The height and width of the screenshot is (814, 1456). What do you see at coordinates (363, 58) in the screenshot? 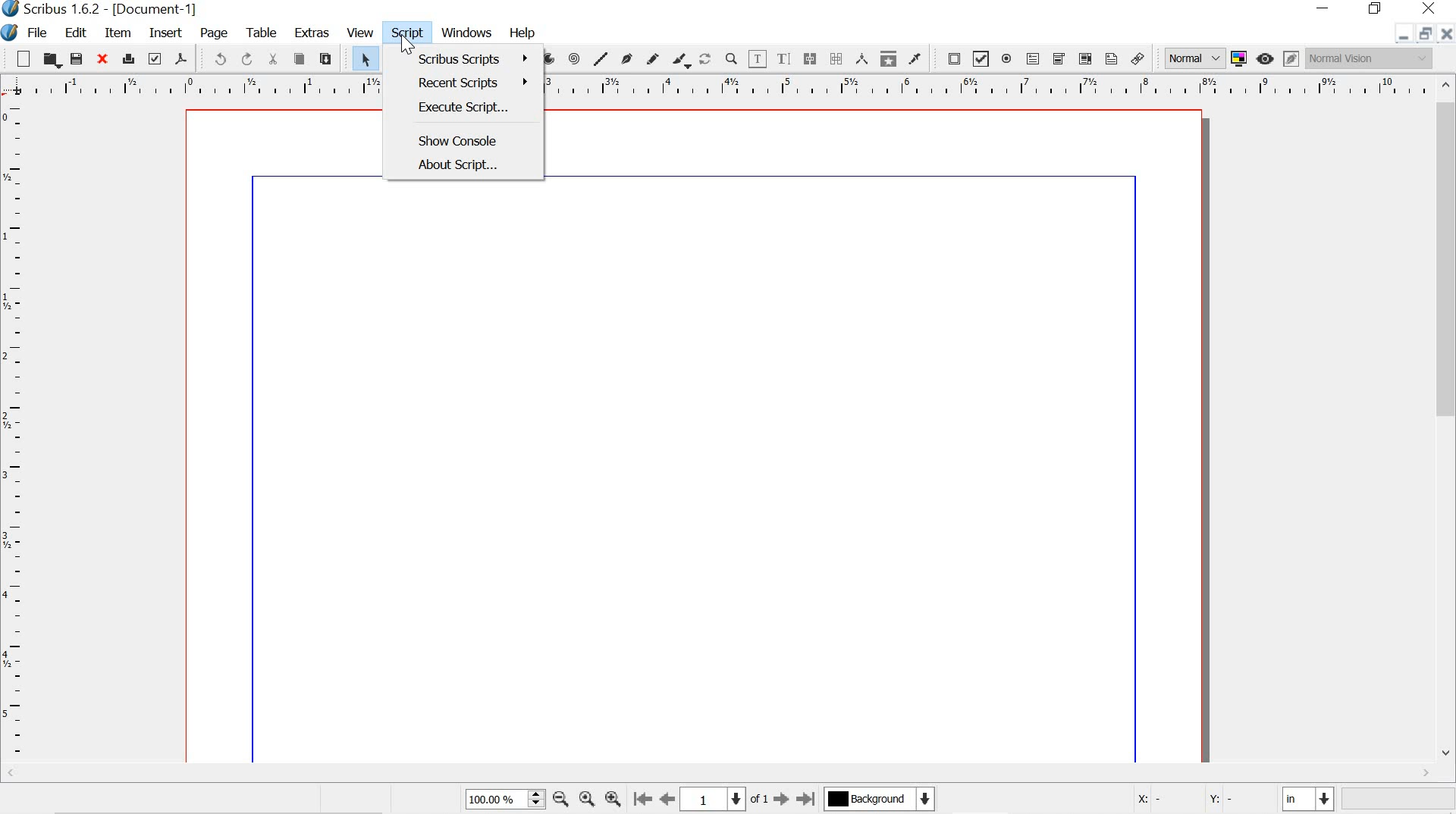
I see `select item` at bounding box center [363, 58].